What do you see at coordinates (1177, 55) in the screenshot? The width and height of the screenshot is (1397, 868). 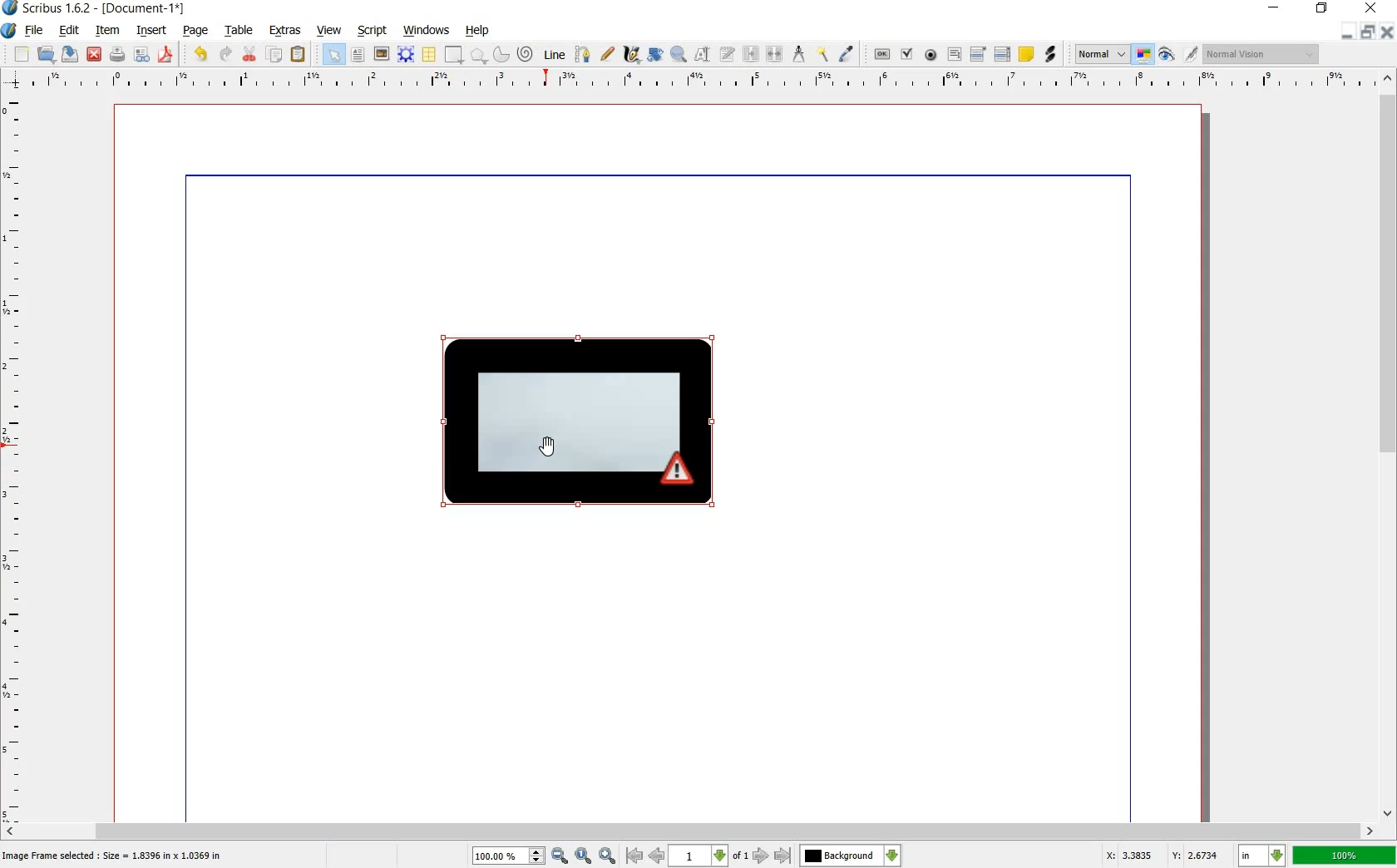 I see `edit in preview mode` at bounding box center [1177, 55].